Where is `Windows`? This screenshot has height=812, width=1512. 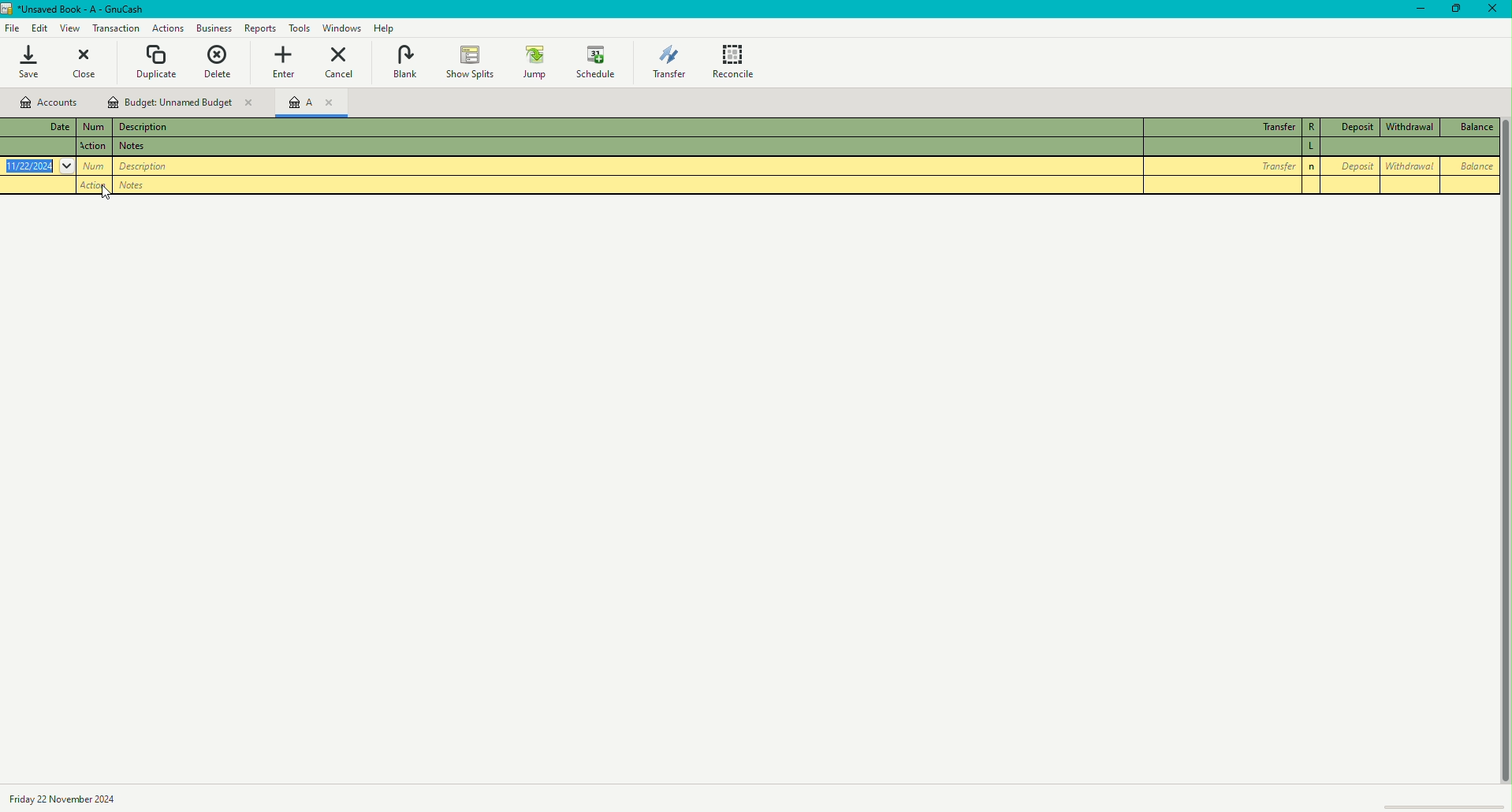
Windows is located at coordinates (342, 28).